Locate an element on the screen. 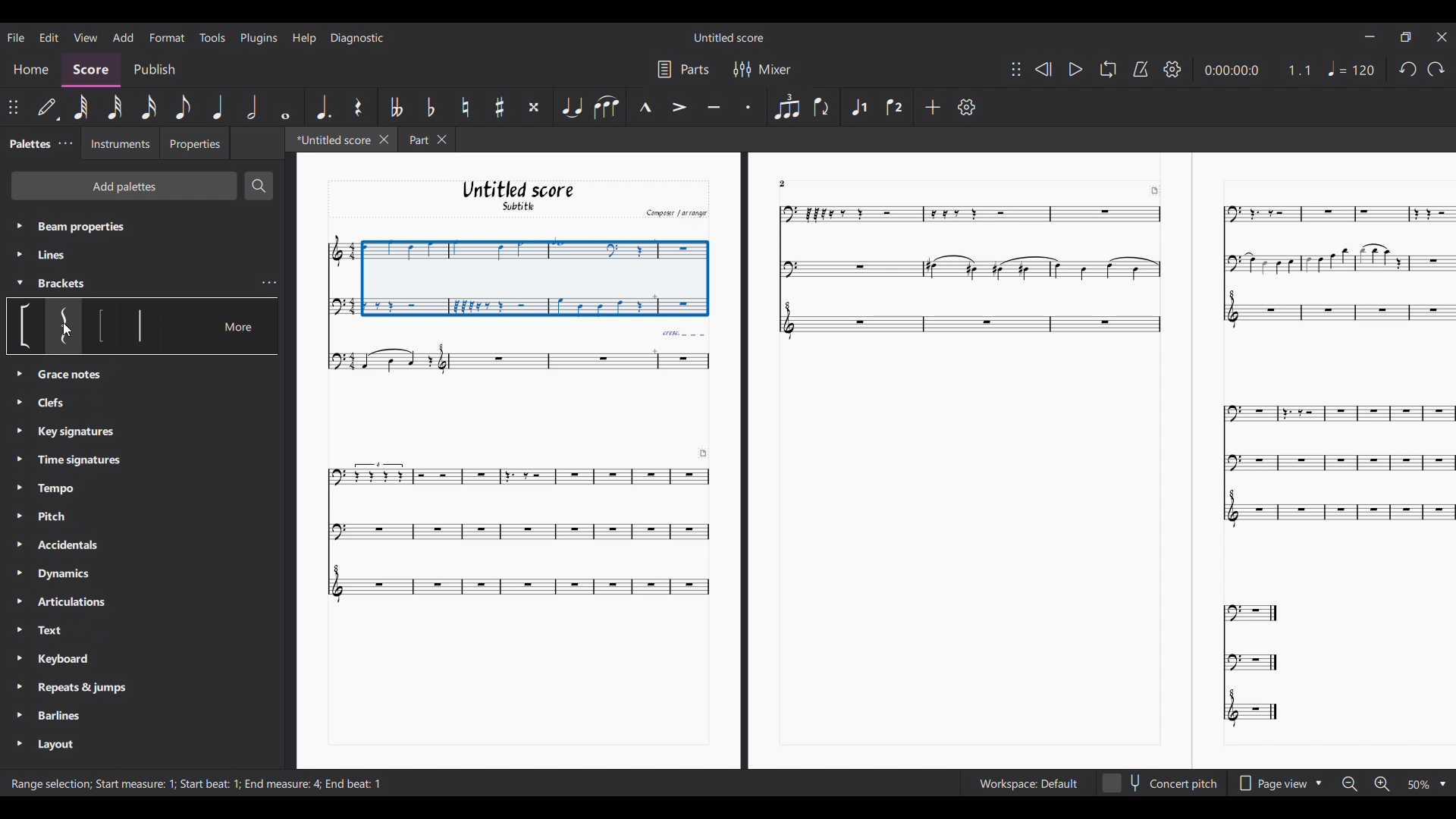 Image resolution: width=1456 pixels, height=819 pixels. Brackets is located at coordinates (71, 284).